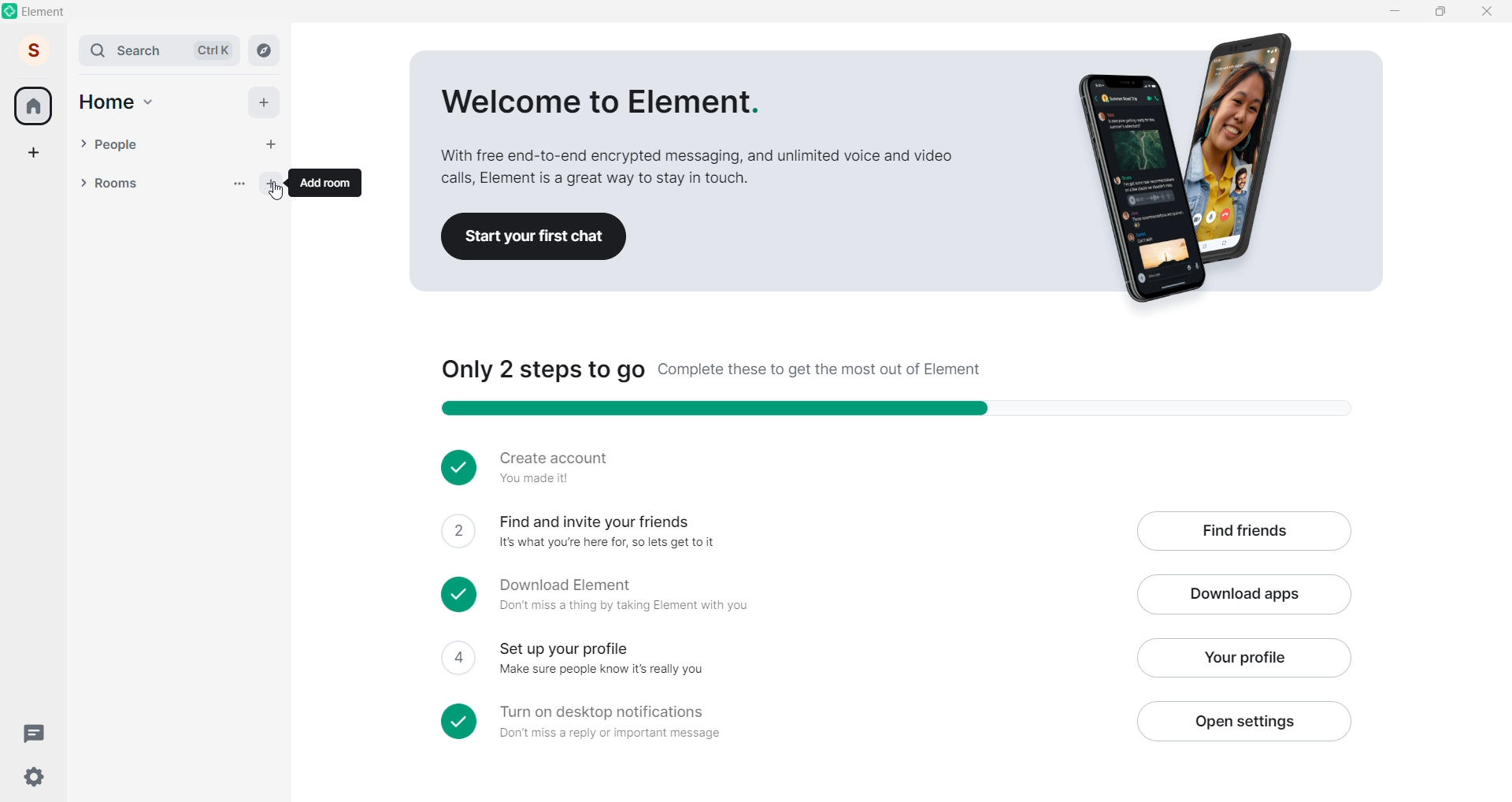 The width and height of the screenshot is (1512, 802). I want to click on Add room, so click(276, 181).